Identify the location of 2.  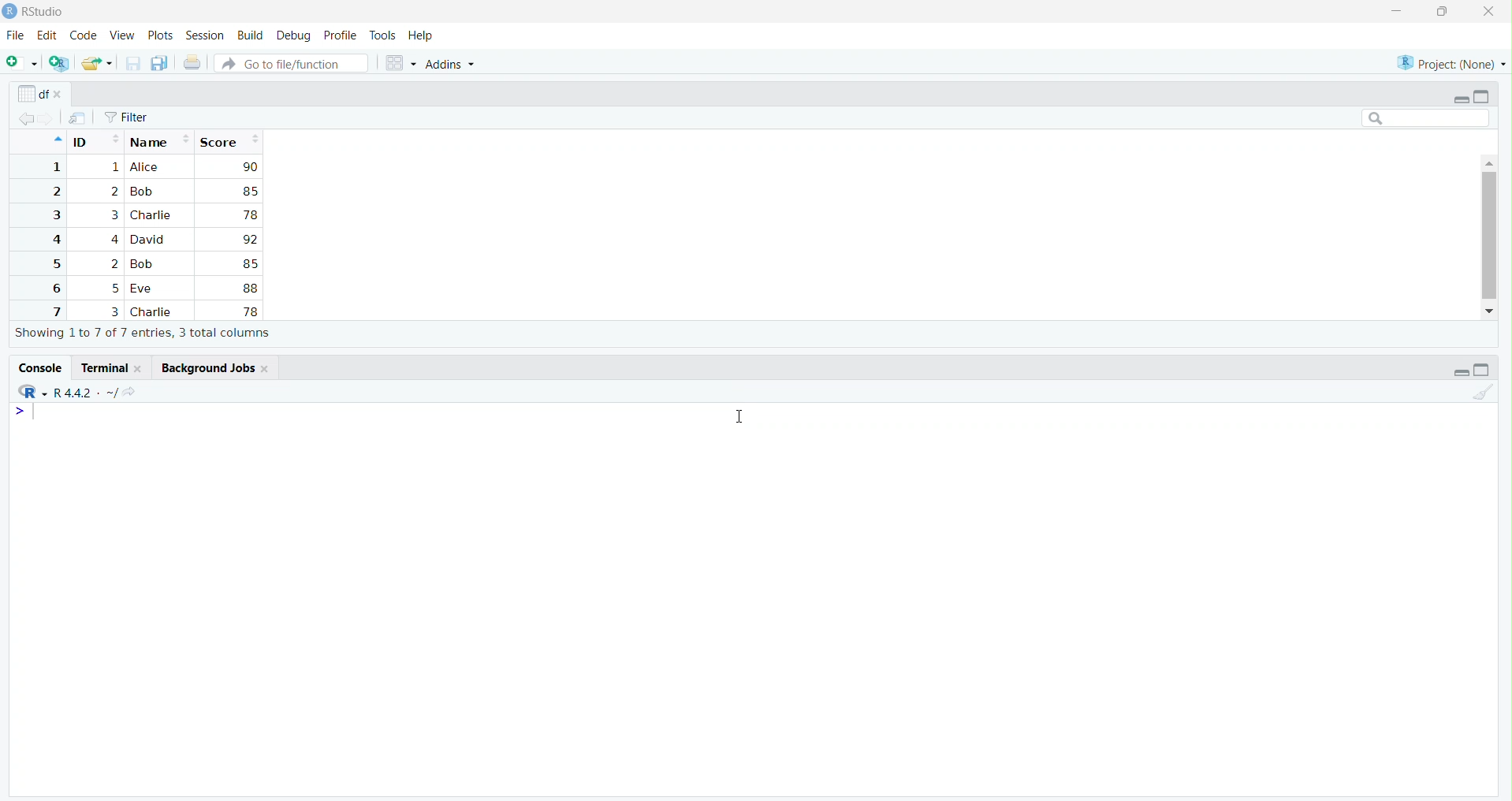
(114, 191).